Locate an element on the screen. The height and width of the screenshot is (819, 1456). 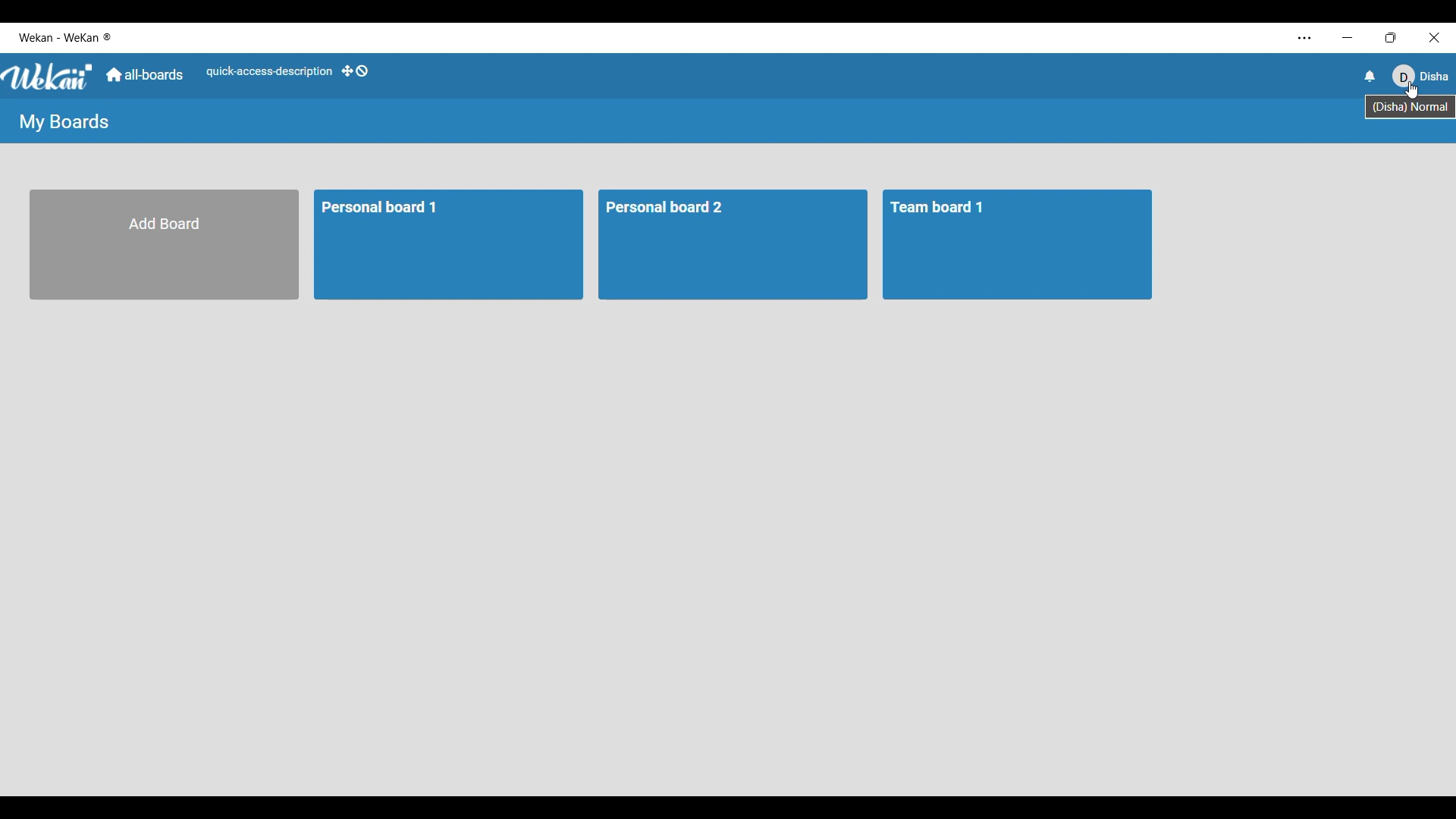
Wekan - WeKan ® is located at coordinates (67, 38).